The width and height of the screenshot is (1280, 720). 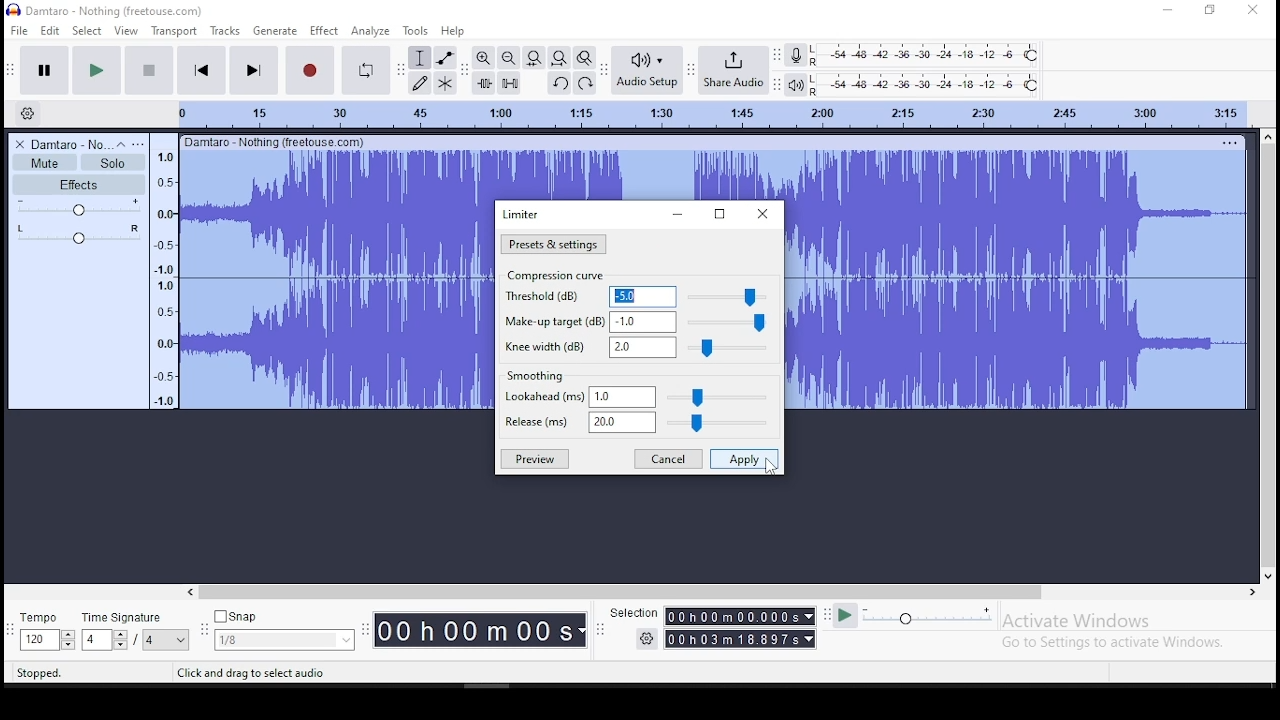 What do you see at coordinates (173, 30) in the screenshot?
I see `transport` at bounding box center [173, 30].